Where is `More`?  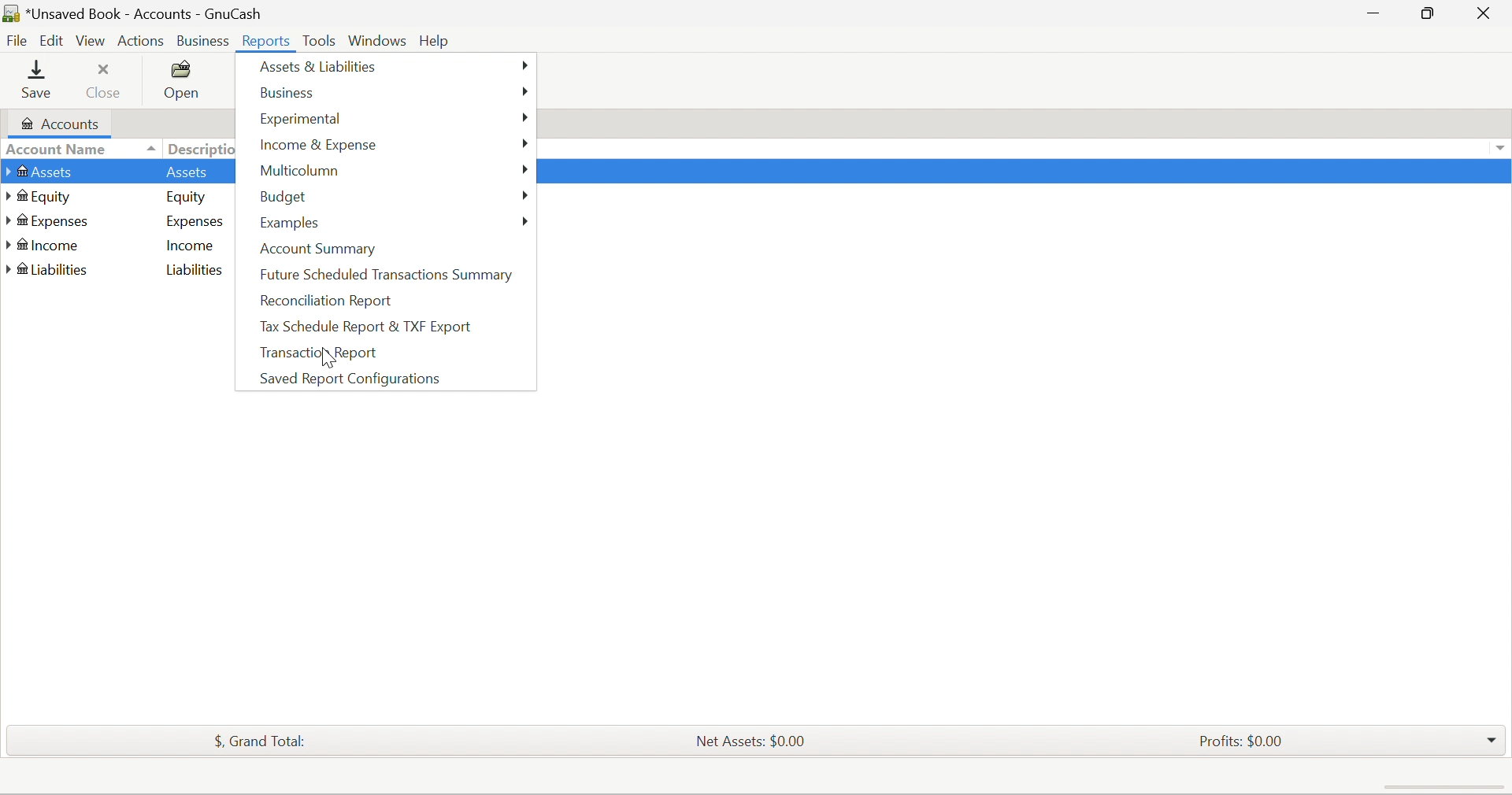 More is located at coordinates (528, 218).